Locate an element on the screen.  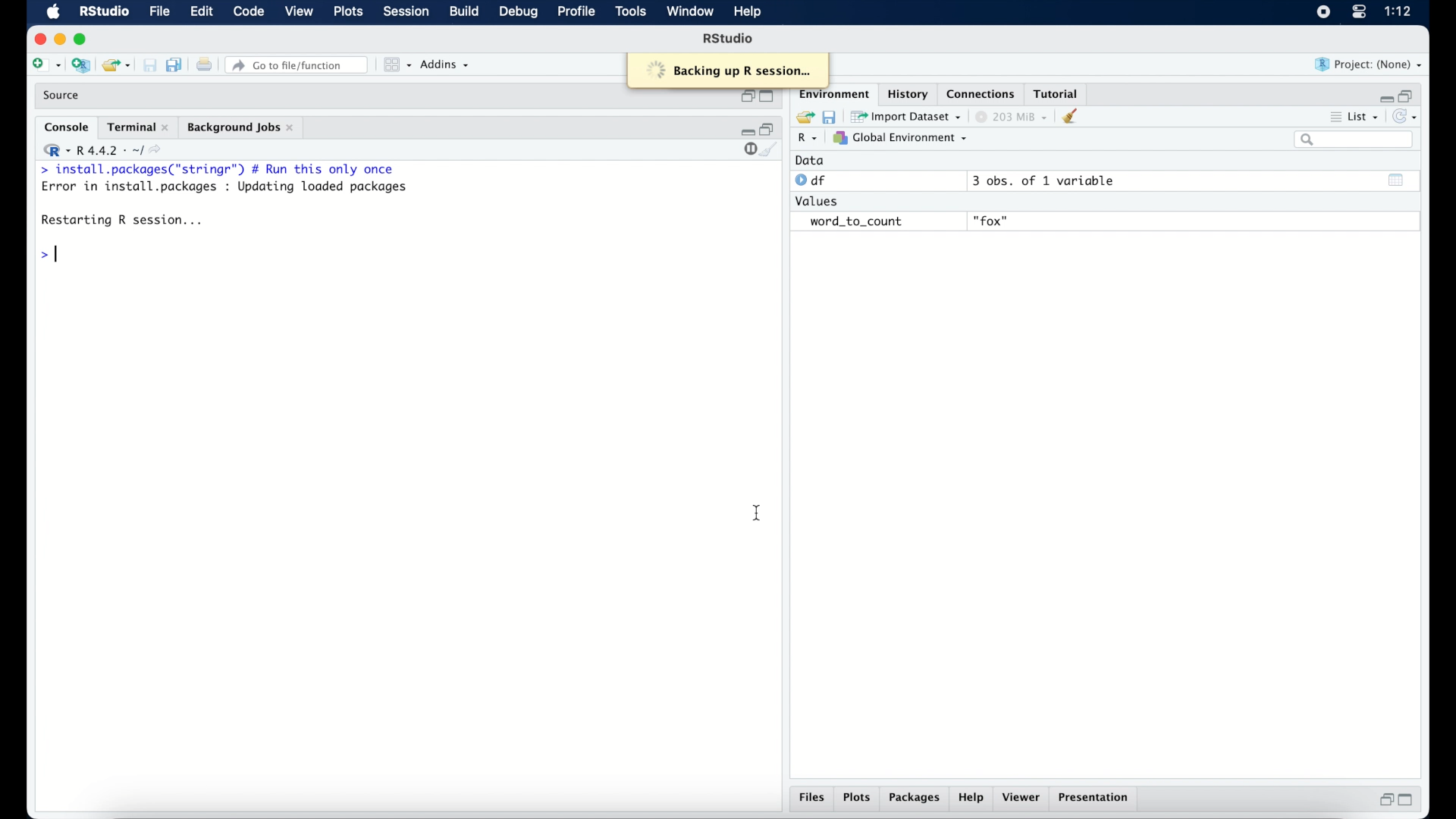
maximize is located at coordinates (1409, 800).